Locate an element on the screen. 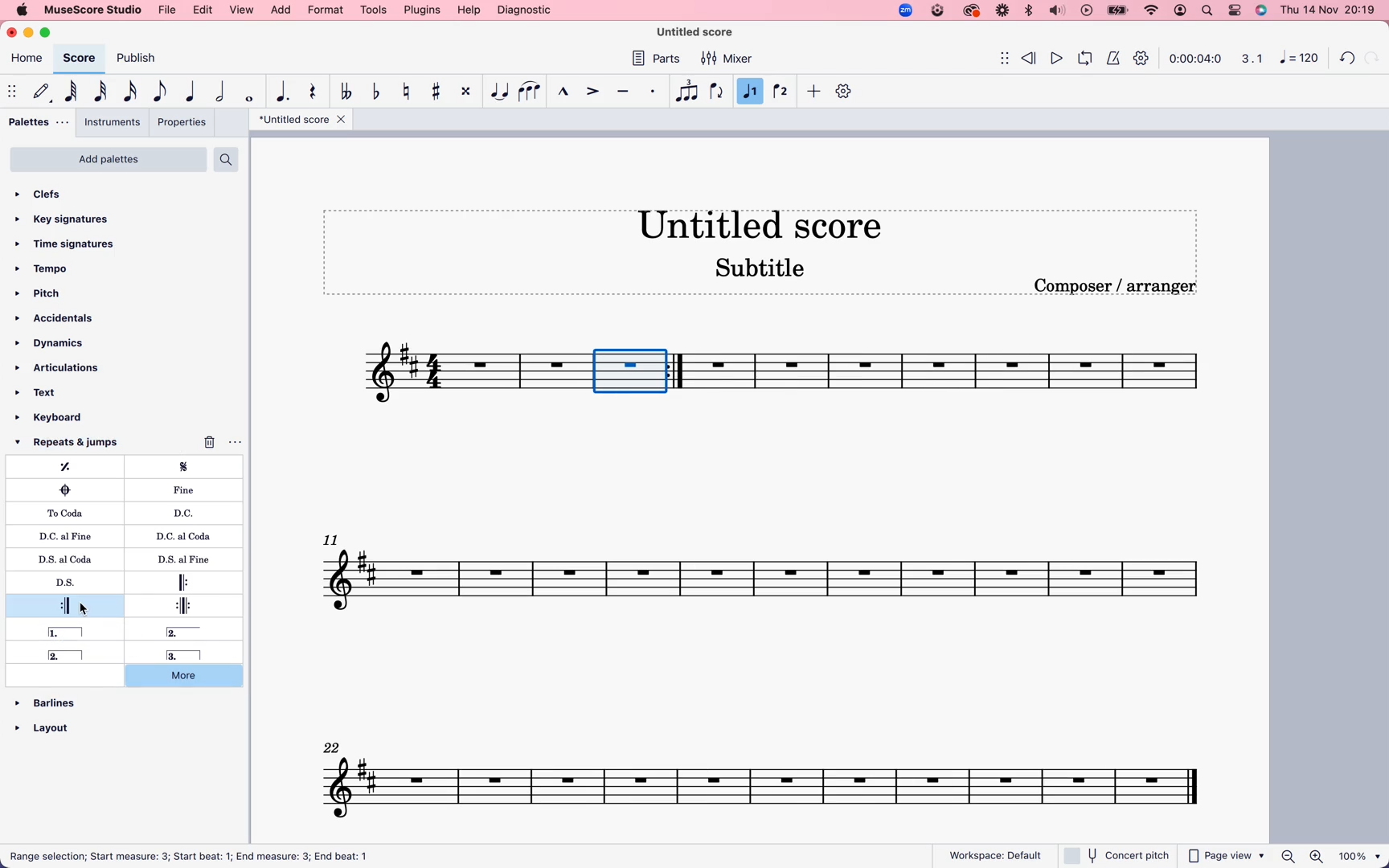 This screenshot has height=868, width=1389. composer / arranger is located at coordinates (1118, 286).